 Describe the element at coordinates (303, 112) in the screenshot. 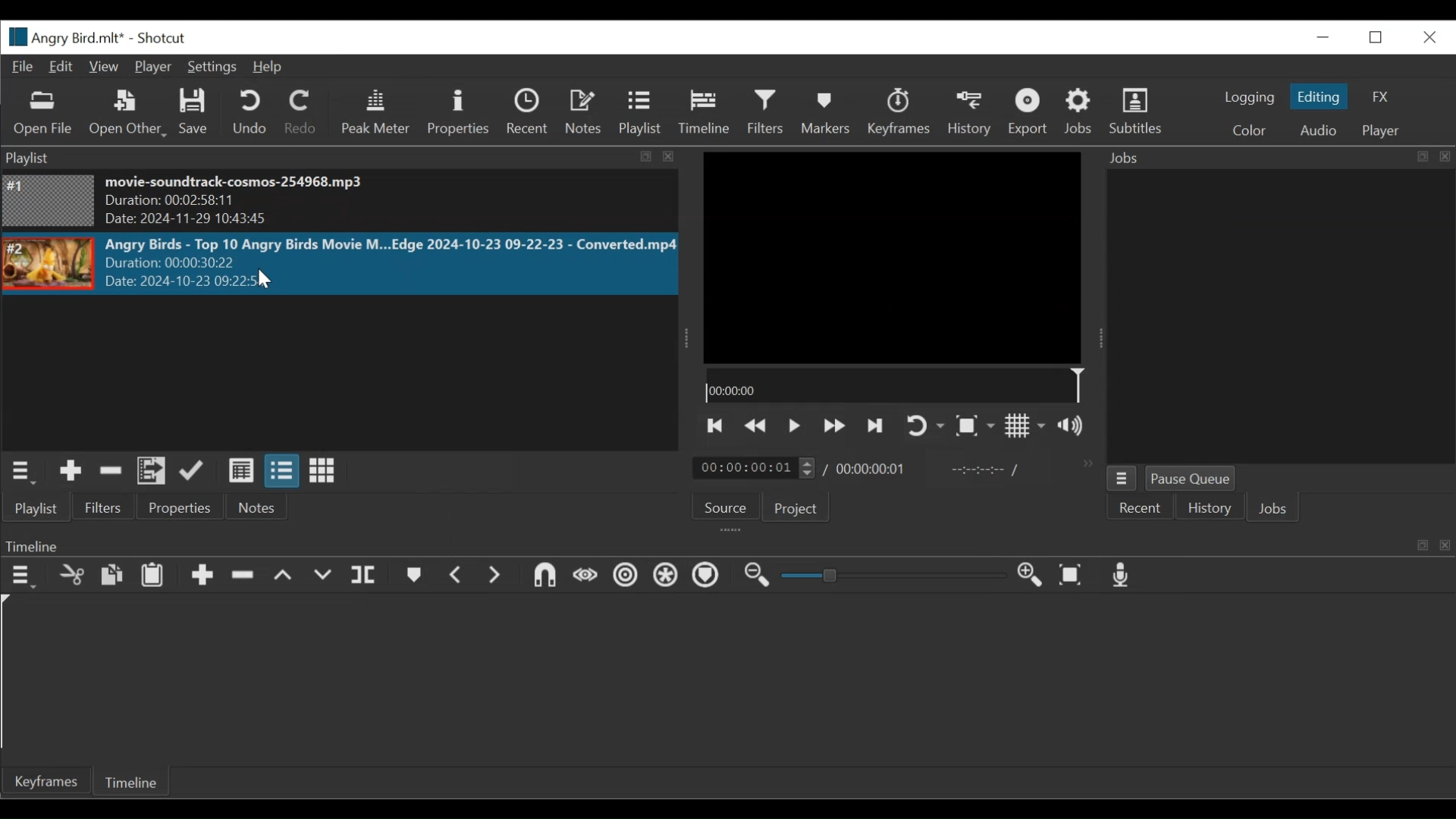

I see `Redo` at that location.